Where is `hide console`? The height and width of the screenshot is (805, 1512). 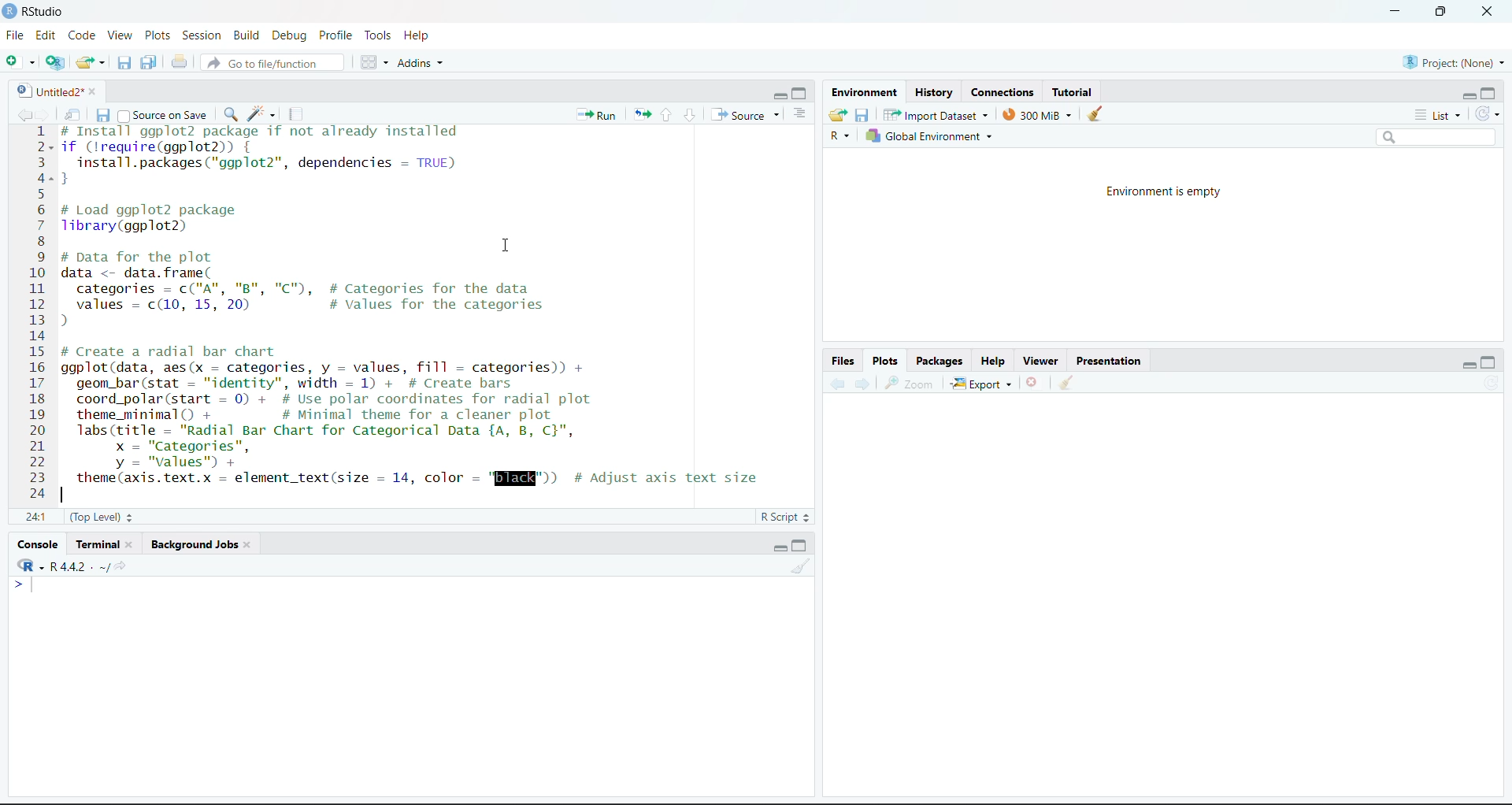
hide console is located at coordinates (802, 544).